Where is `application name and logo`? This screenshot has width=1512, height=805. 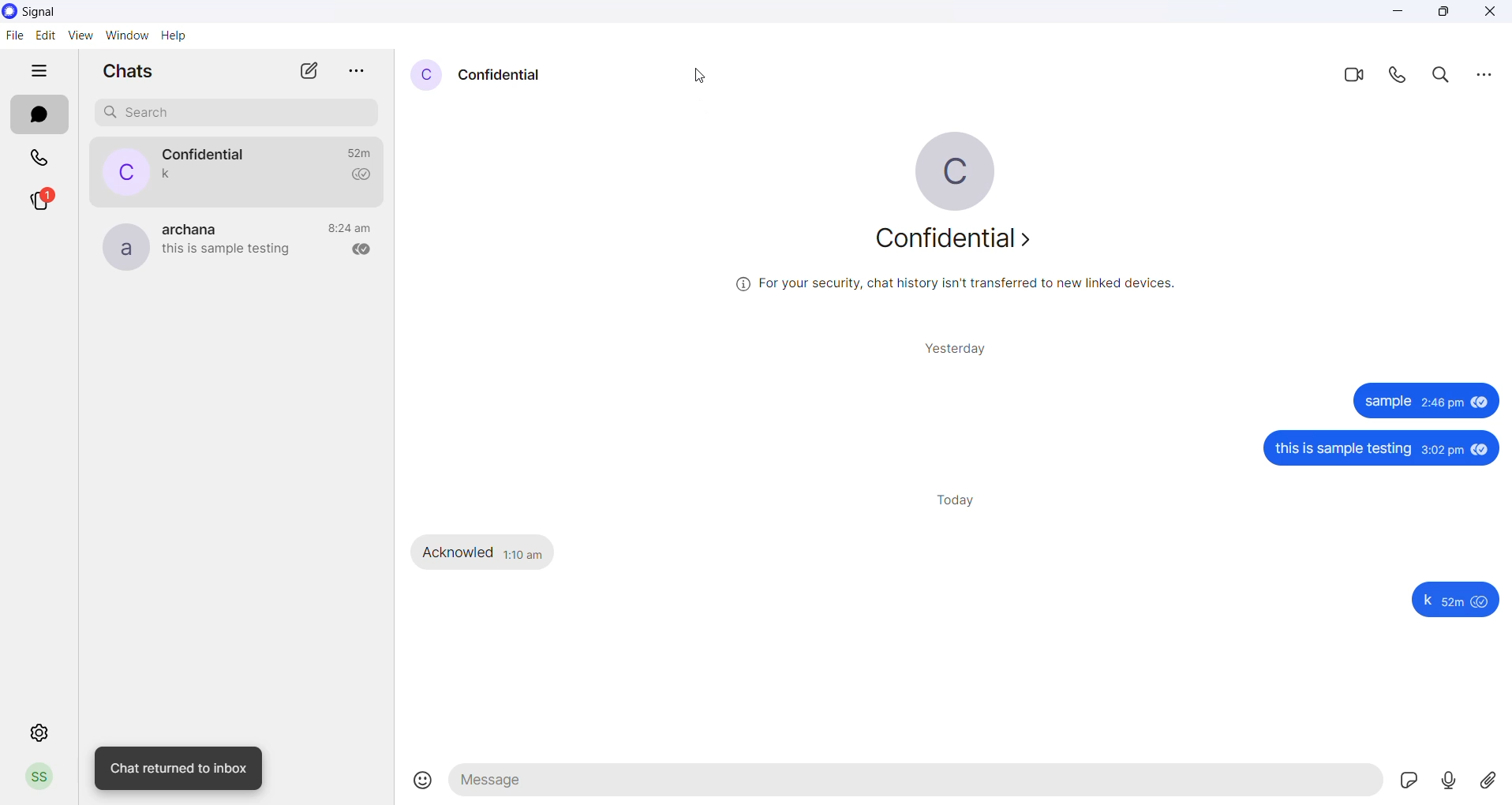
application name and logo is located at coordinates (50, 12).